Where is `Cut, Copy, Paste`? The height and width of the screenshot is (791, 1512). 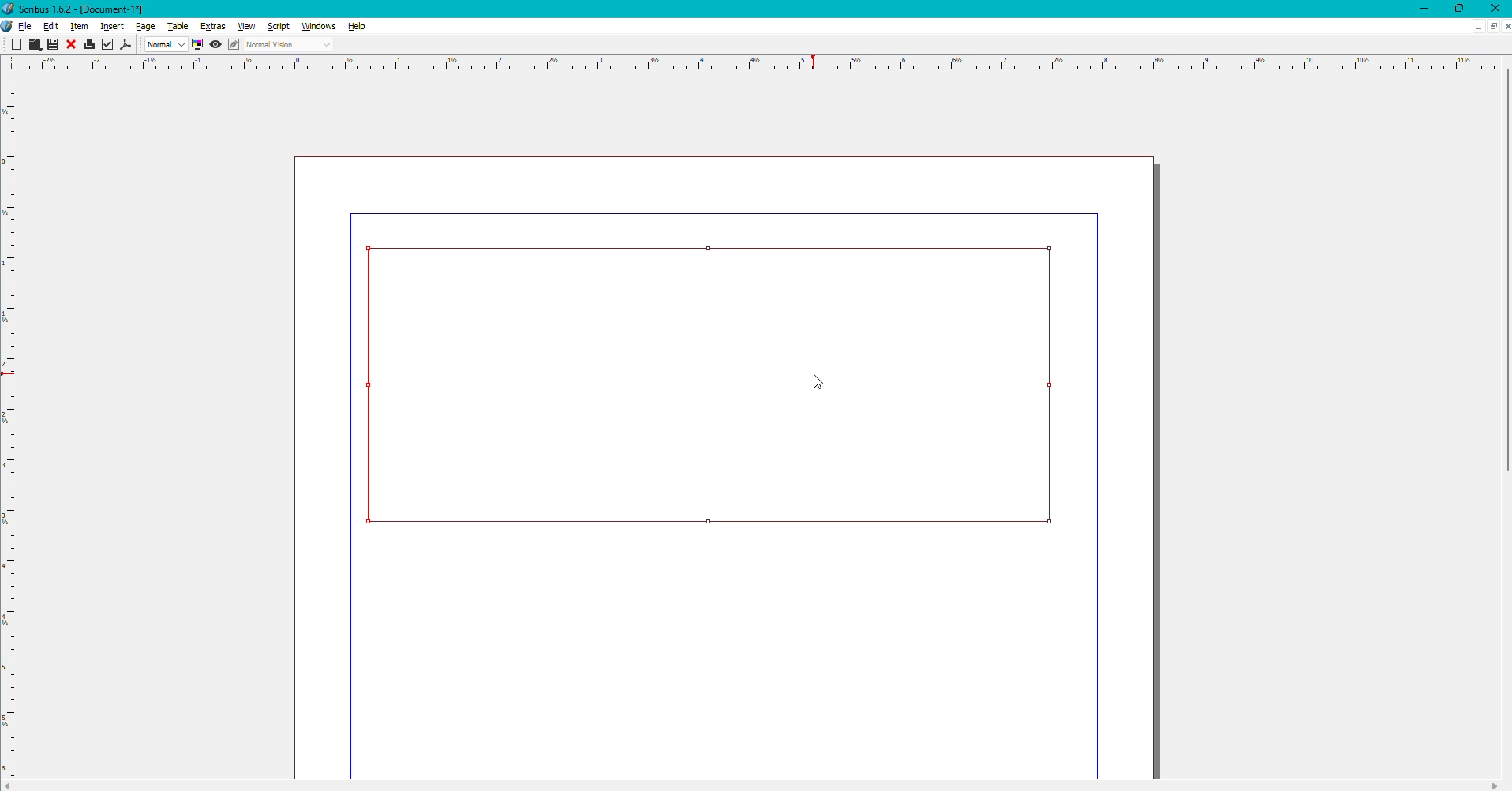
Cut, Copy, Paste is located at coordinates (35, 45).